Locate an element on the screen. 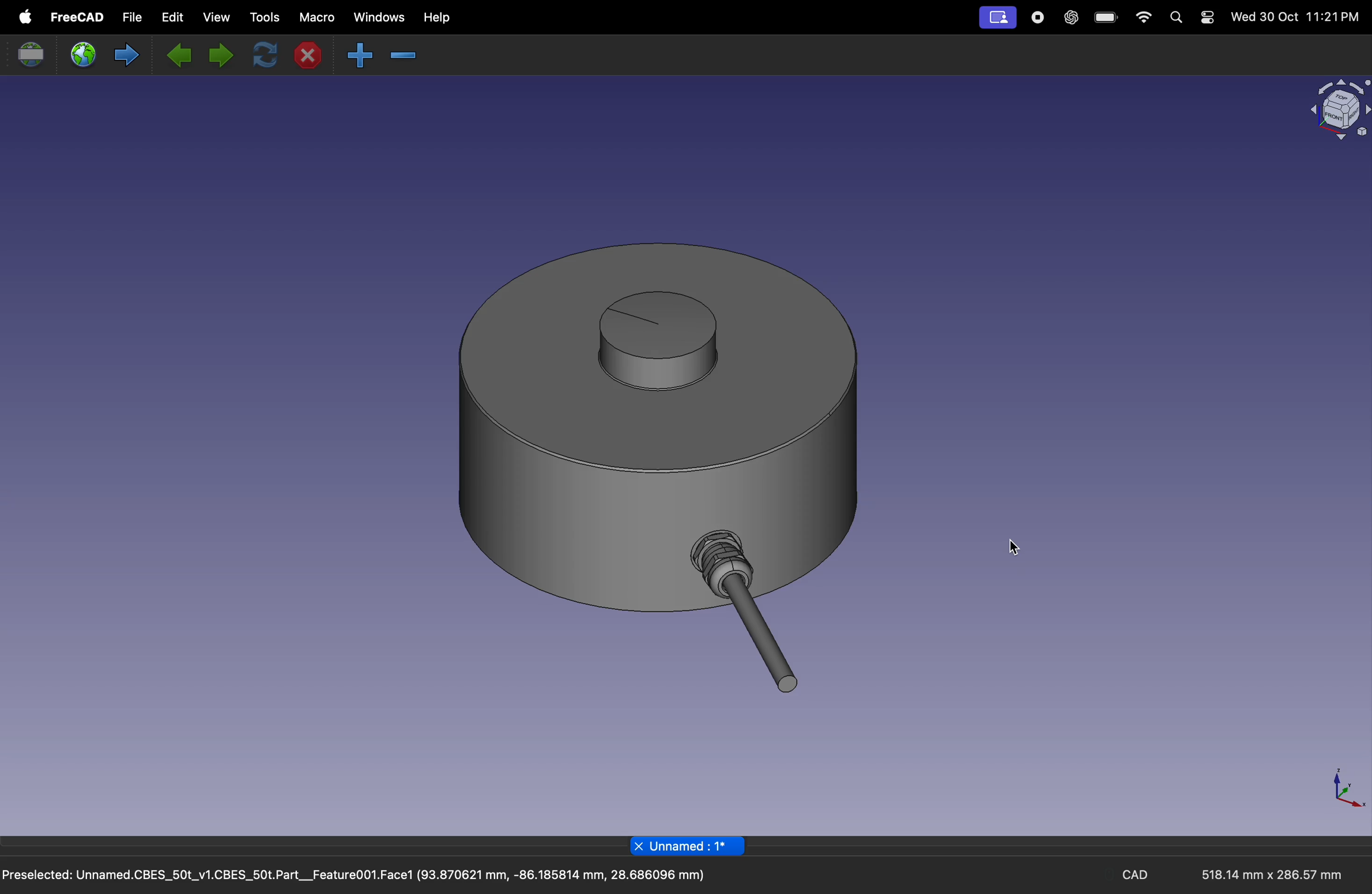 This screenshot has width=1372, height=894. next page is located at coordinates (216, 52).